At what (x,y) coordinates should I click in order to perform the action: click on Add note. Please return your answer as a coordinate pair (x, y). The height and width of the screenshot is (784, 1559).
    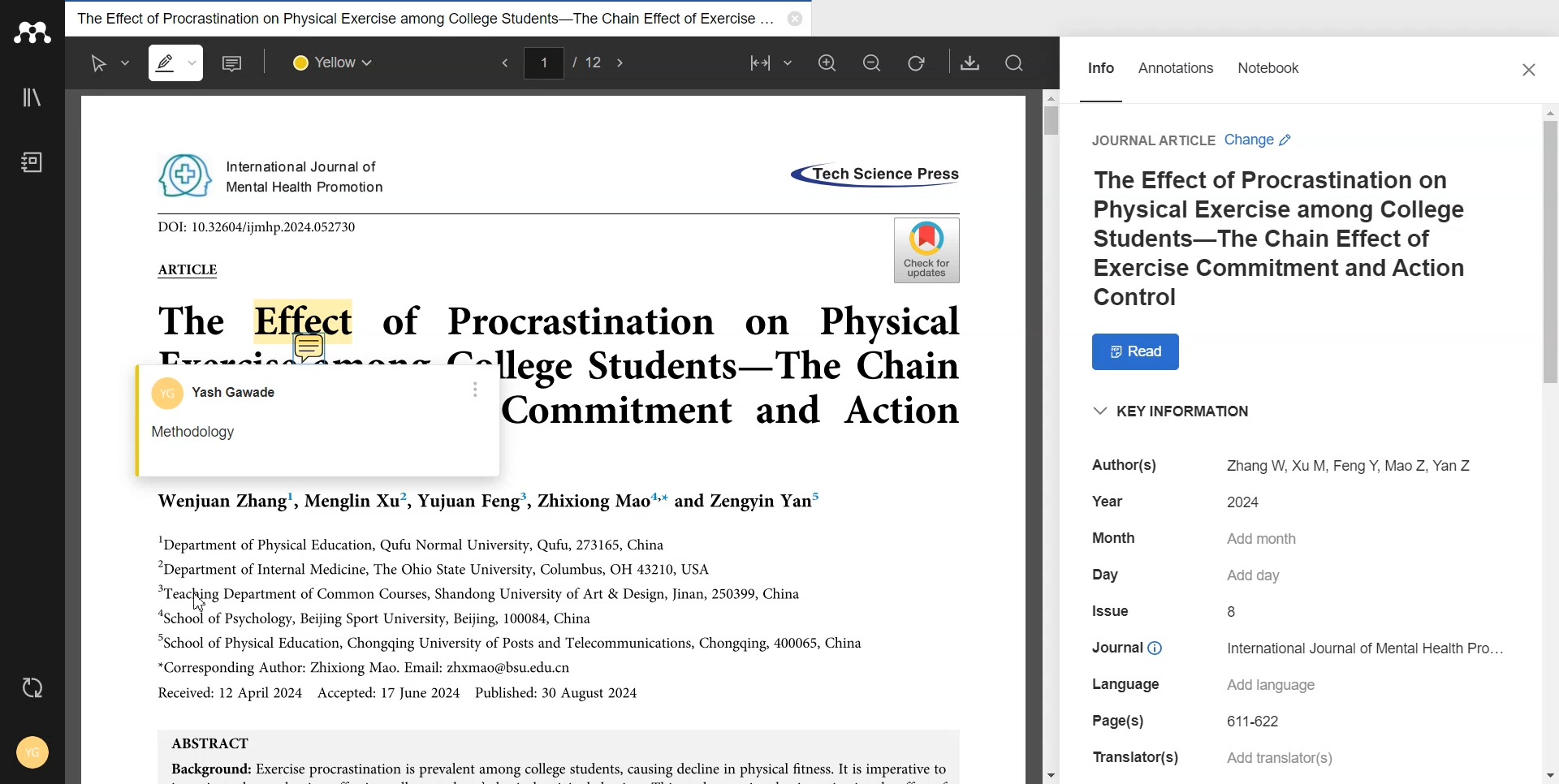
    Looking at the image, I should click on (235, 63).